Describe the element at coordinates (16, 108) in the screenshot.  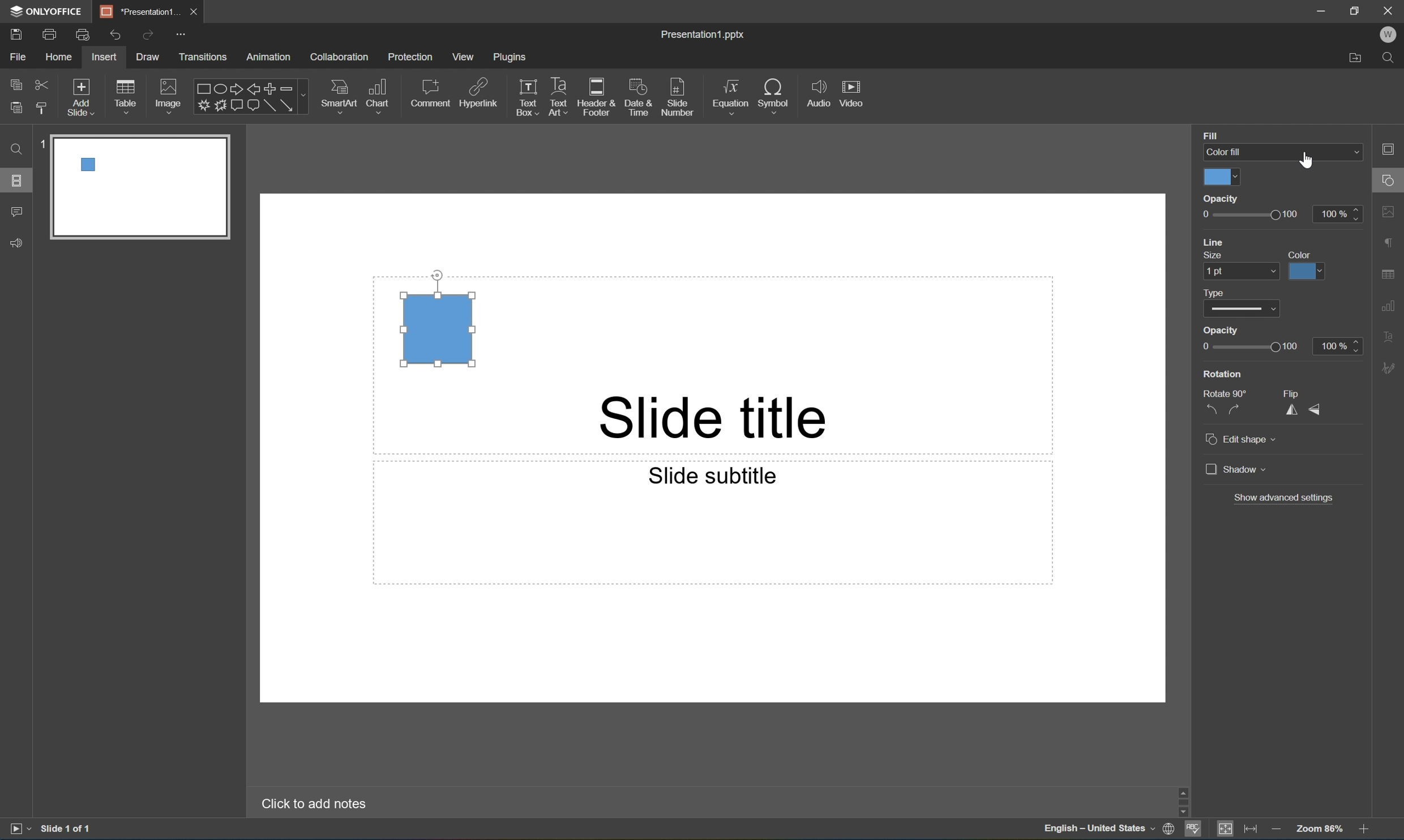
I see `Paste` at that location.